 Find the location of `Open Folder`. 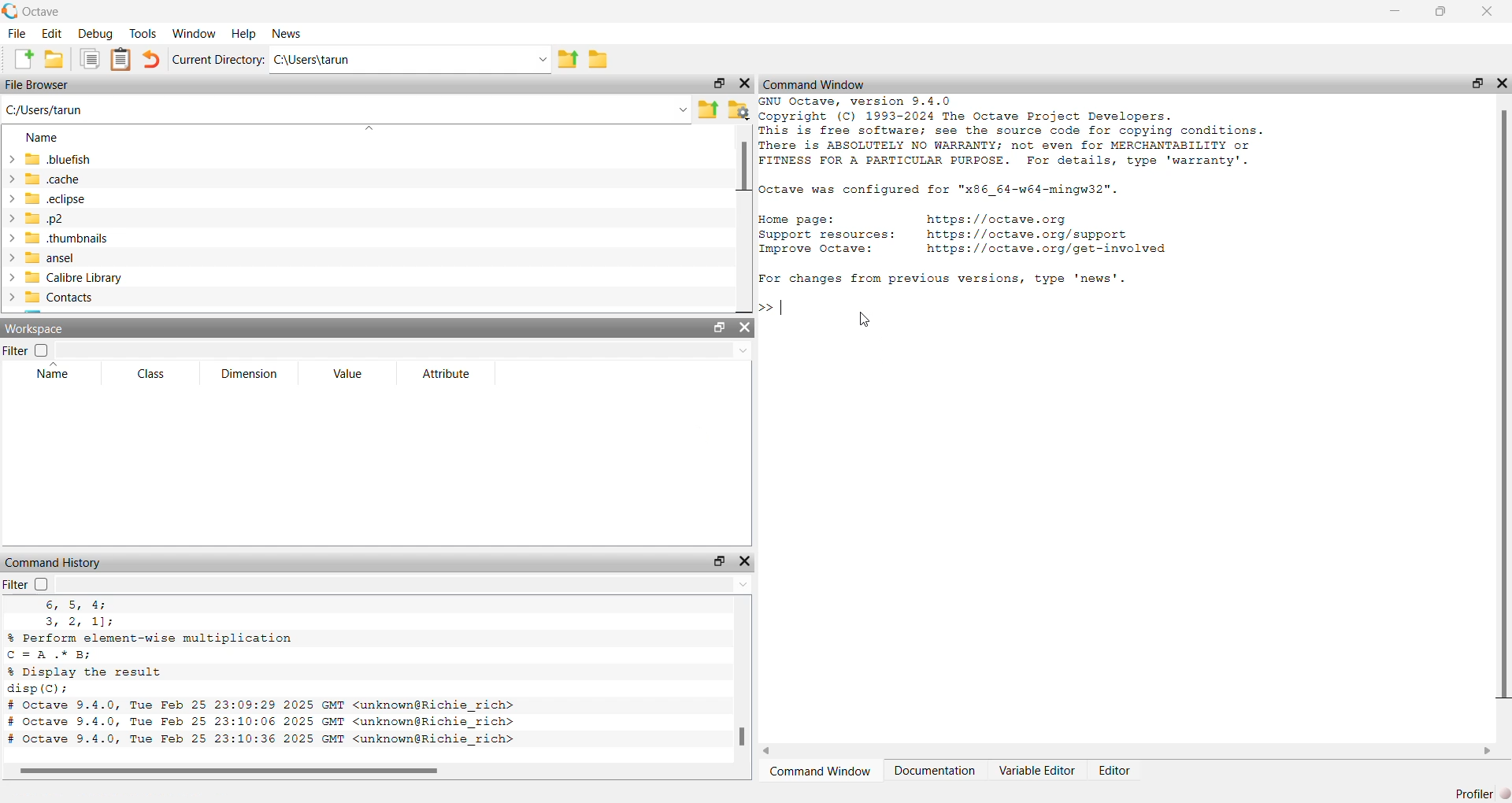

Open Folder is located at coordinates (54, 59).